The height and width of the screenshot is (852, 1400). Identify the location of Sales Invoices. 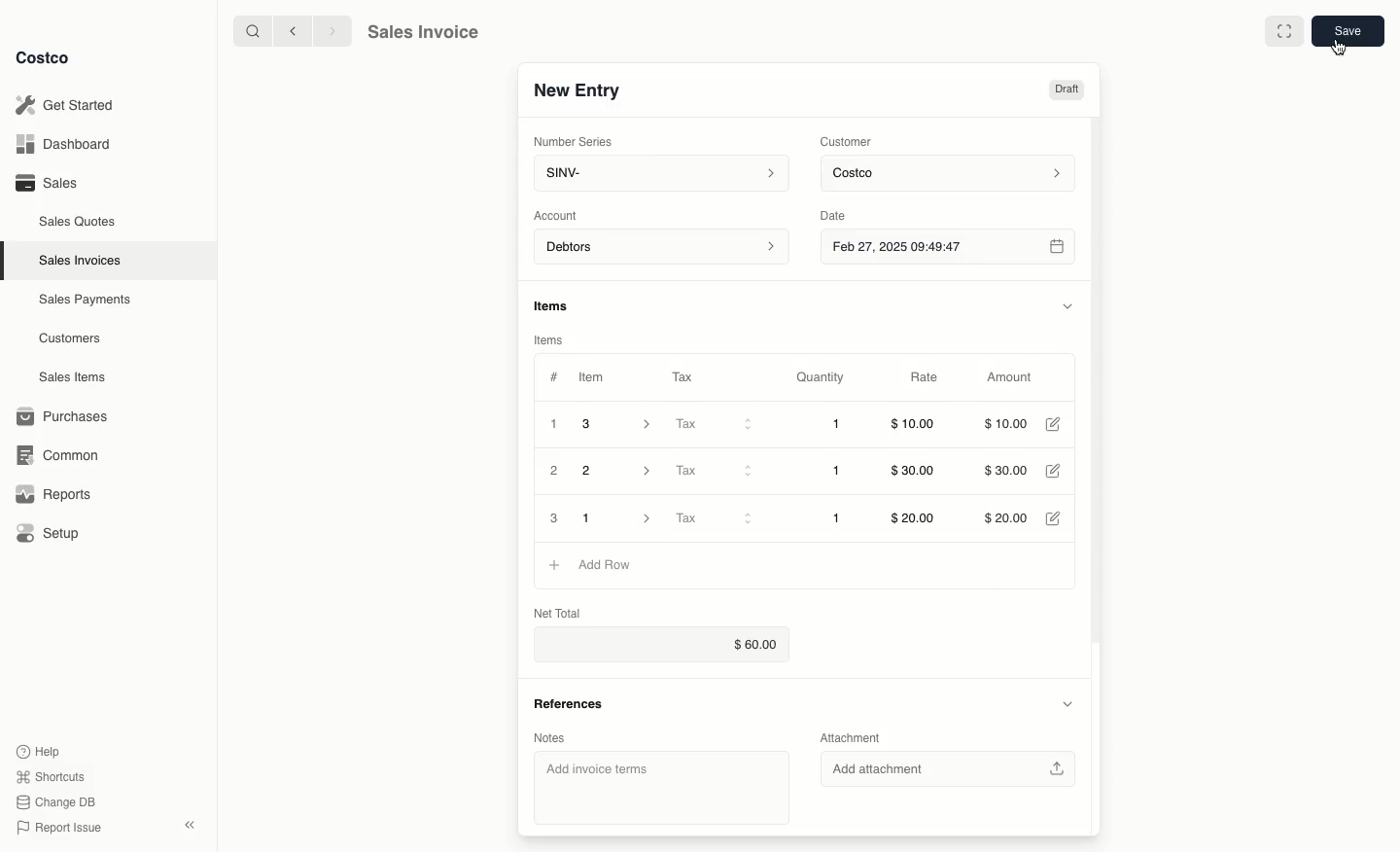
(83, 260).